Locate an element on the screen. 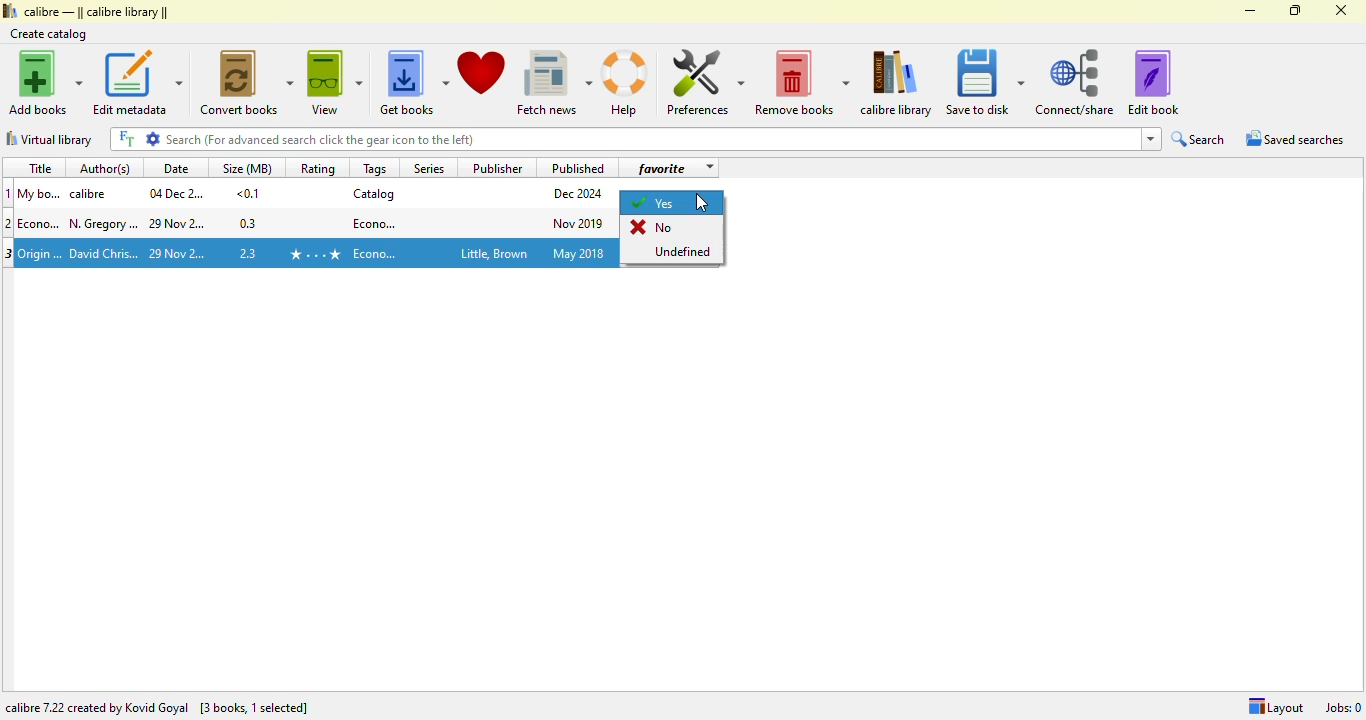 The image size is (1366, 720). No is located at coordinates (652, 227).